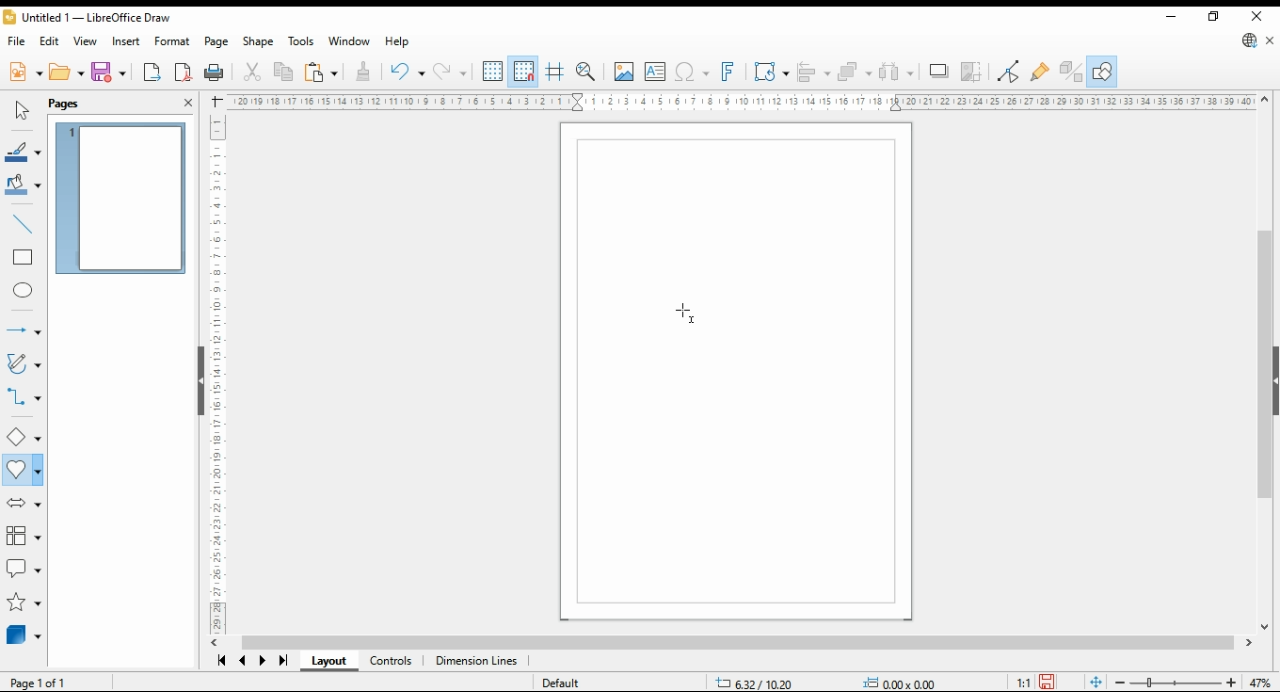 This screenshot has height=692, width=1280. I want to click on 3D objects, so click(23, 635).